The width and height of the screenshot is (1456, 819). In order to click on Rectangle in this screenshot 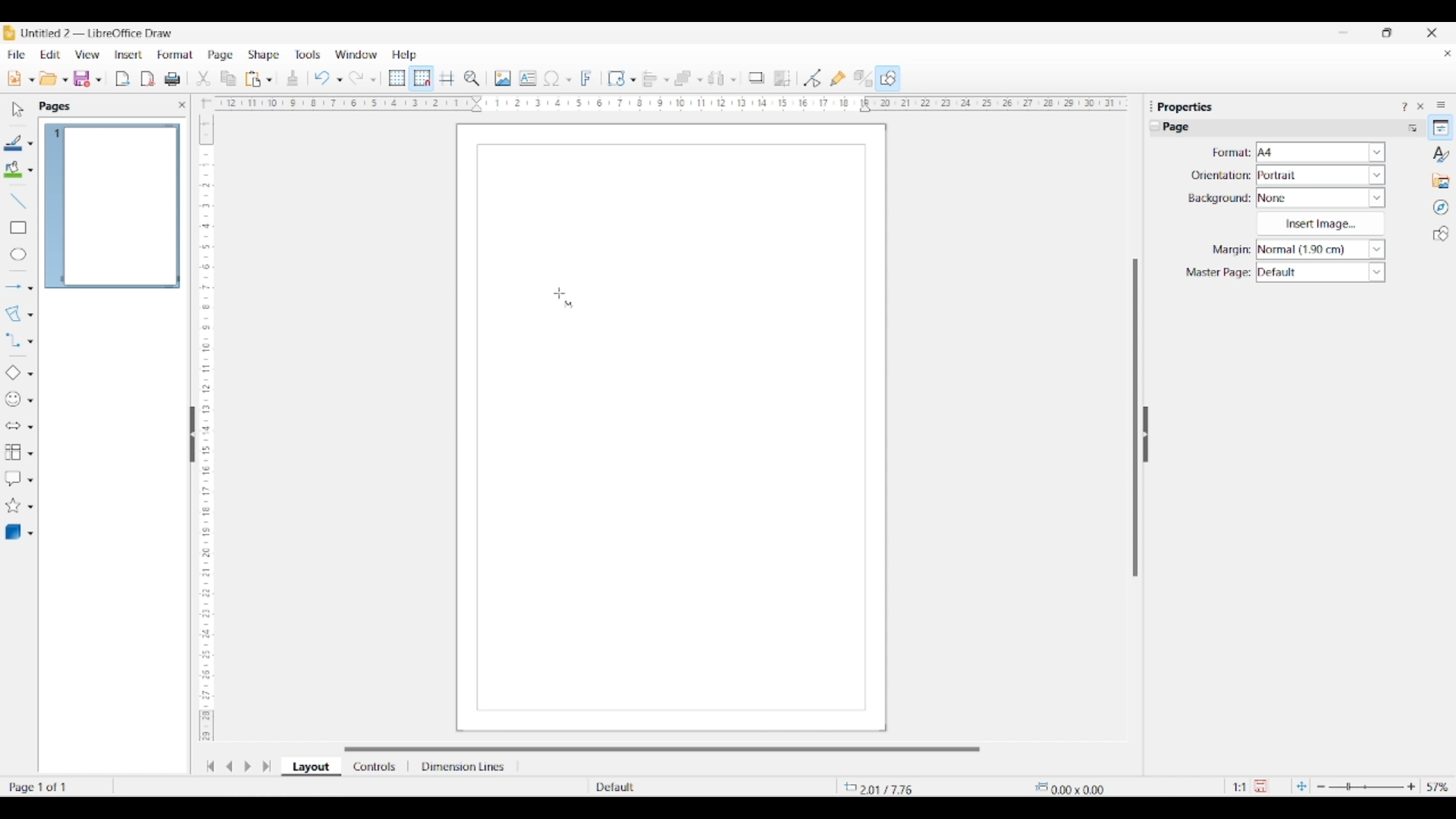, I will do `click(18, 227)`.